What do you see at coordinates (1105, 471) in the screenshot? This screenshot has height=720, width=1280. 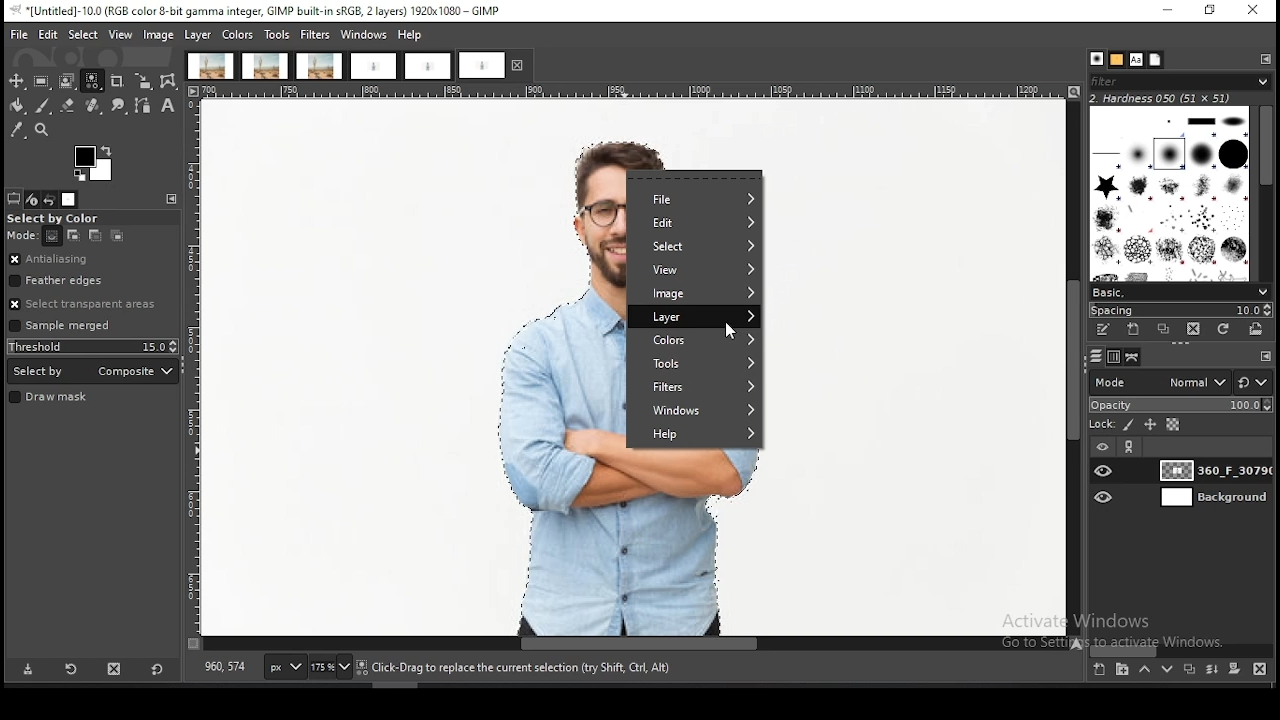 I see `layer visibility on/off` at bounding box center [1105, 471].